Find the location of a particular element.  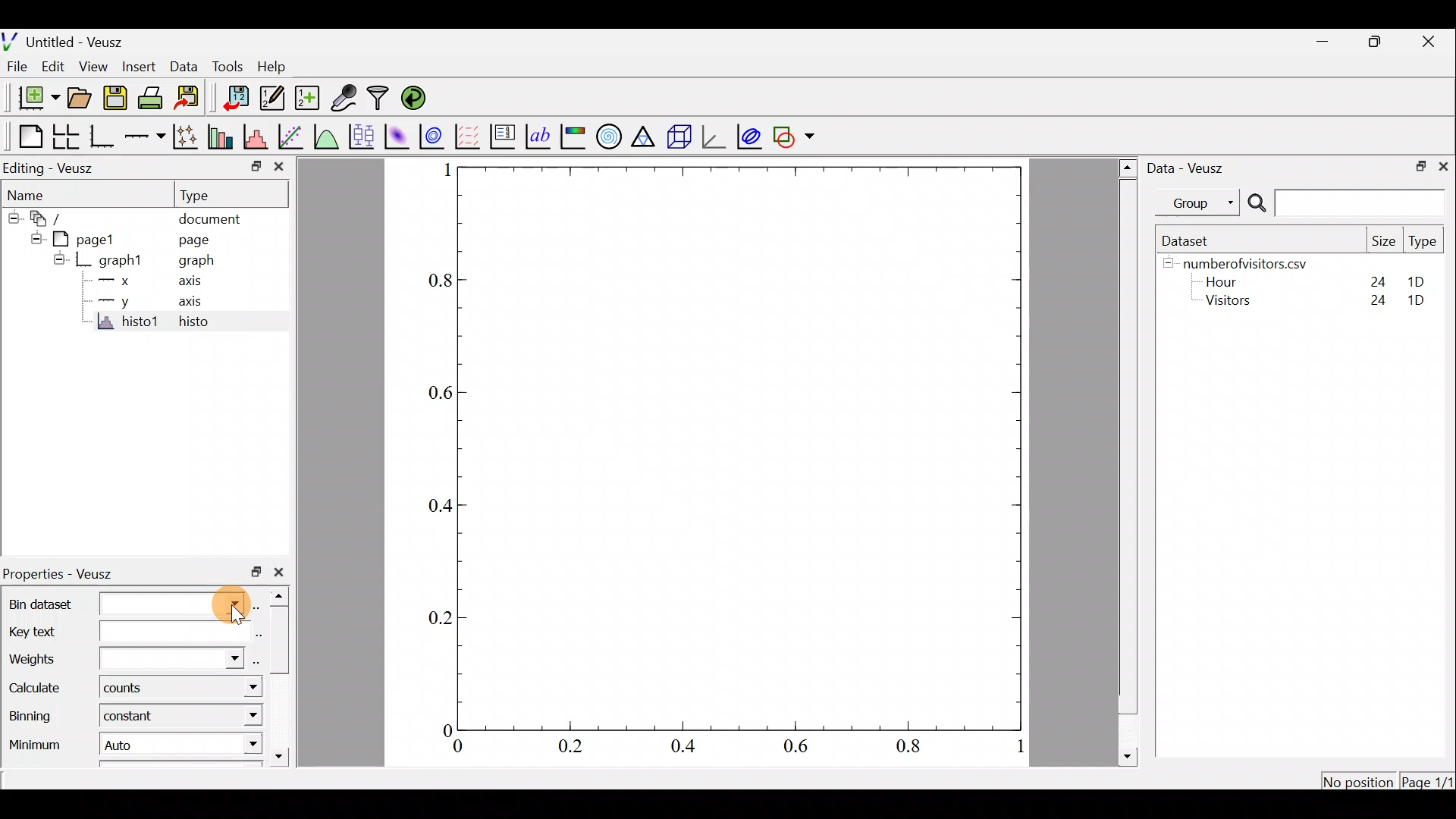

File is located at coordinates (17, 67).